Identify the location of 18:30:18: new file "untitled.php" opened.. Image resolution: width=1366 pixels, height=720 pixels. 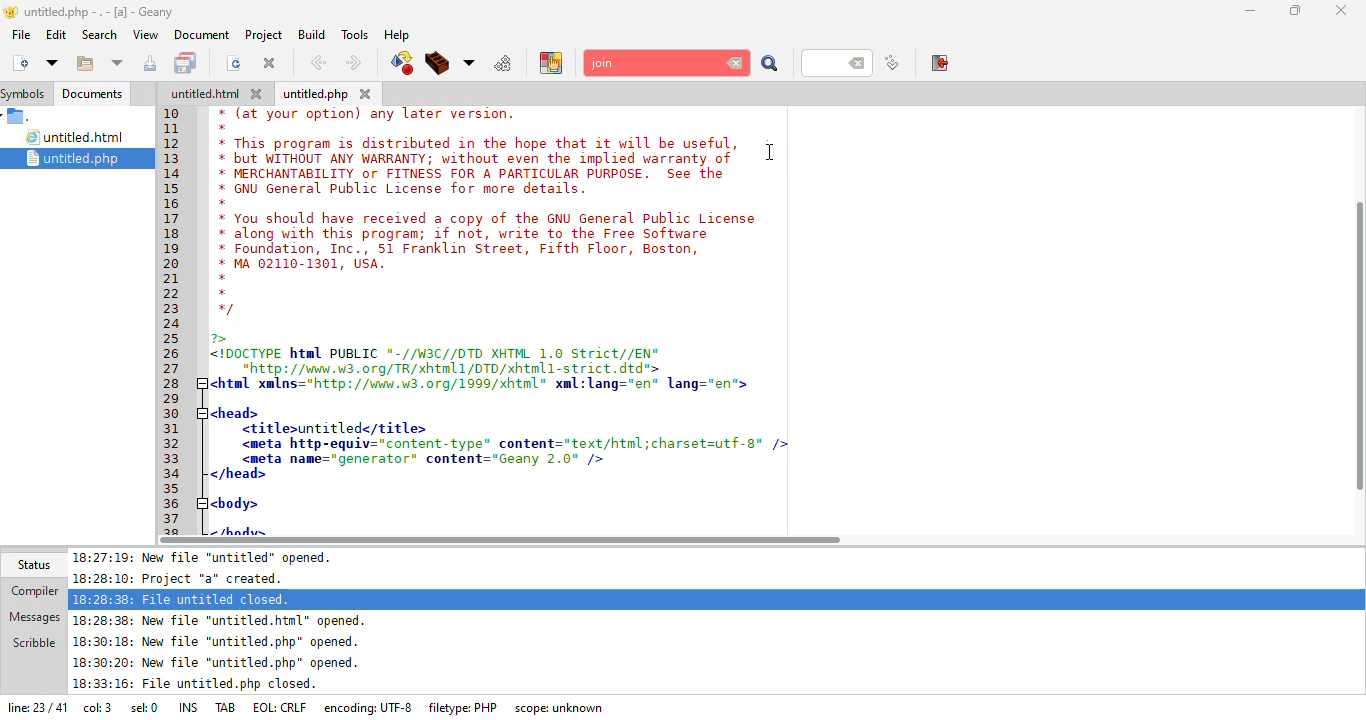
(217, 644).